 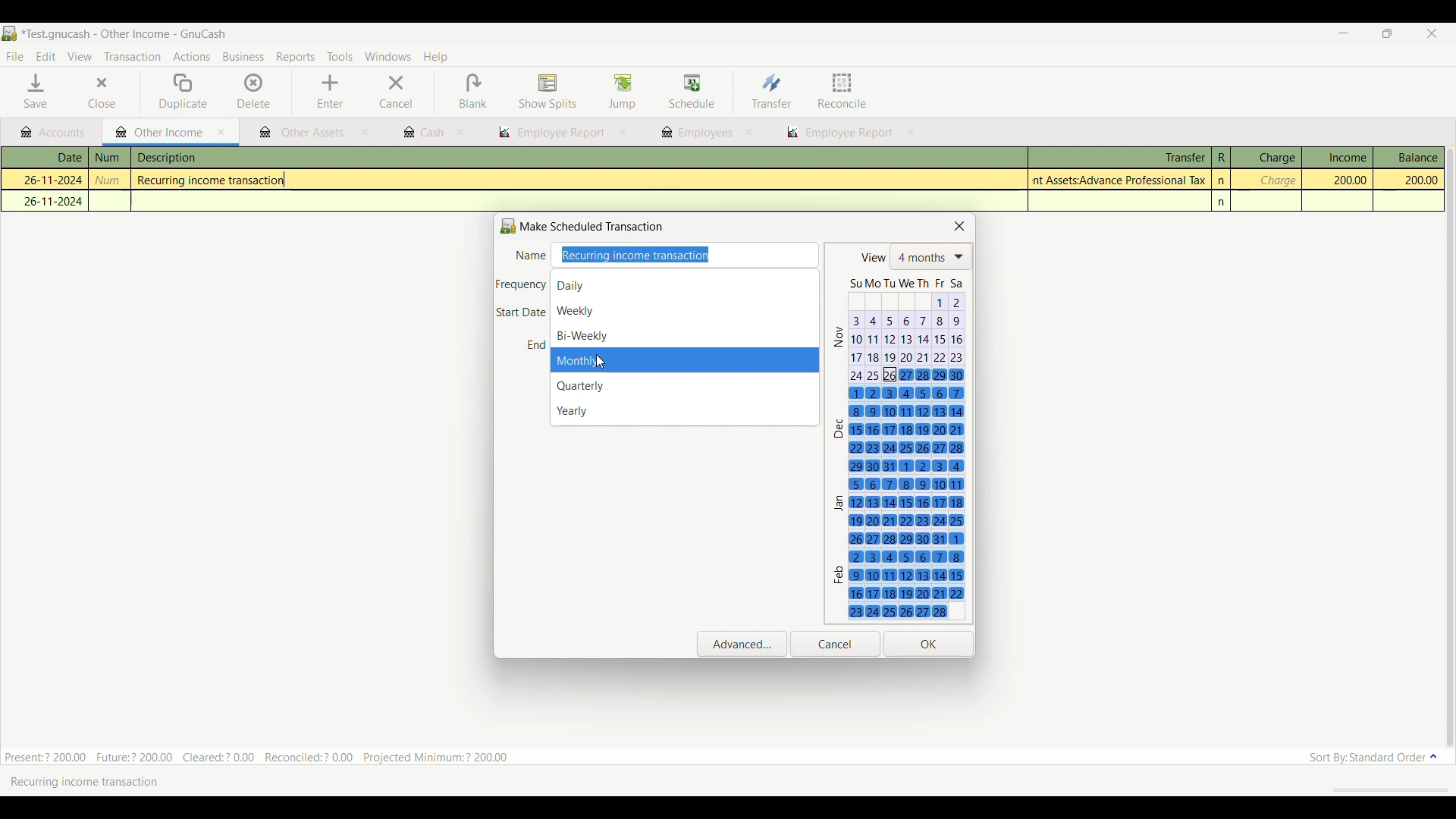 What do you see at coordinates (899, 448) in the screenshot?
I see `Next 4 months calendar, starting with the current date` at bounding box center [899, 448].